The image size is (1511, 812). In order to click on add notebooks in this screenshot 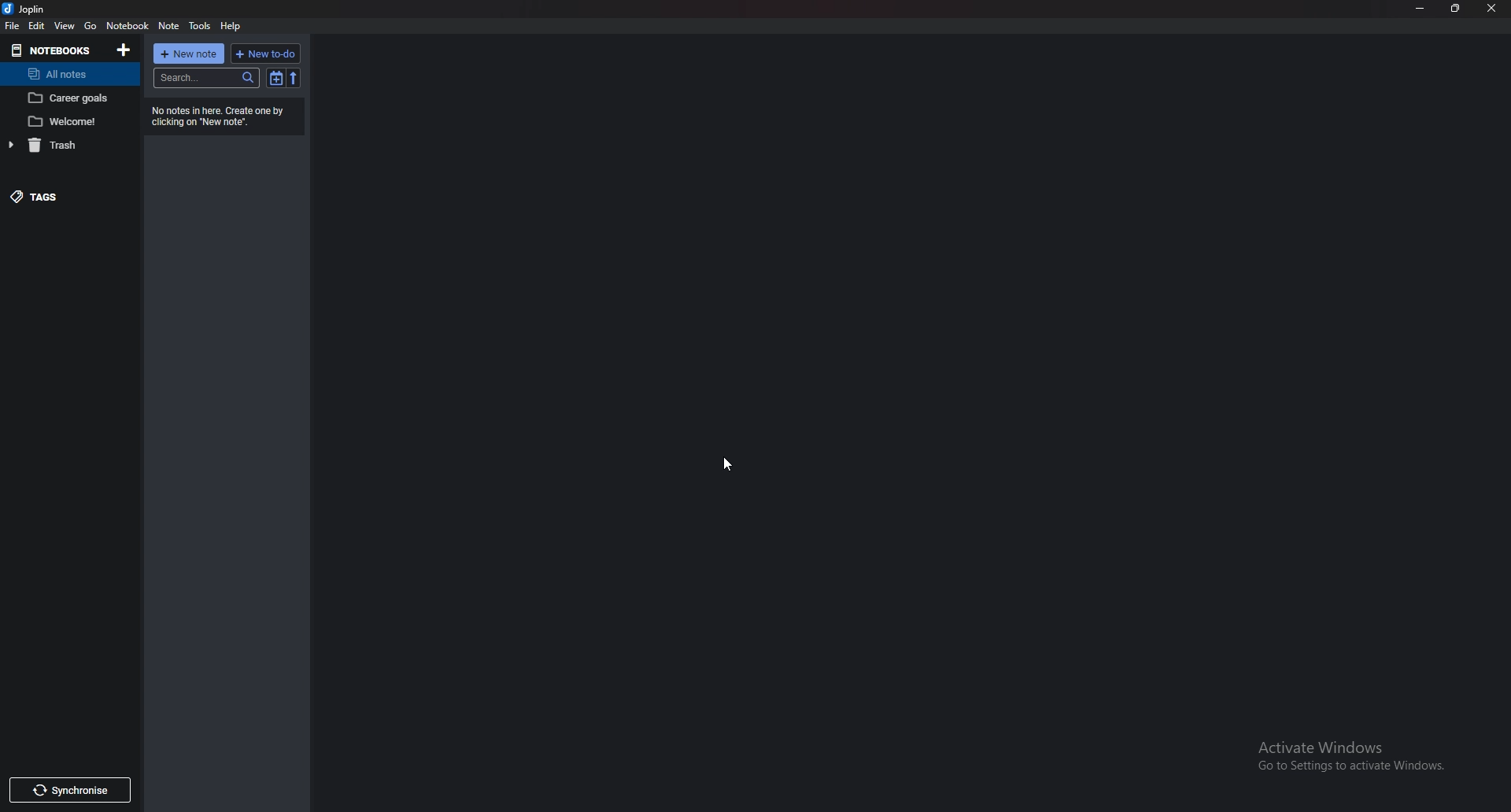, I will do `click(124, 50)`.